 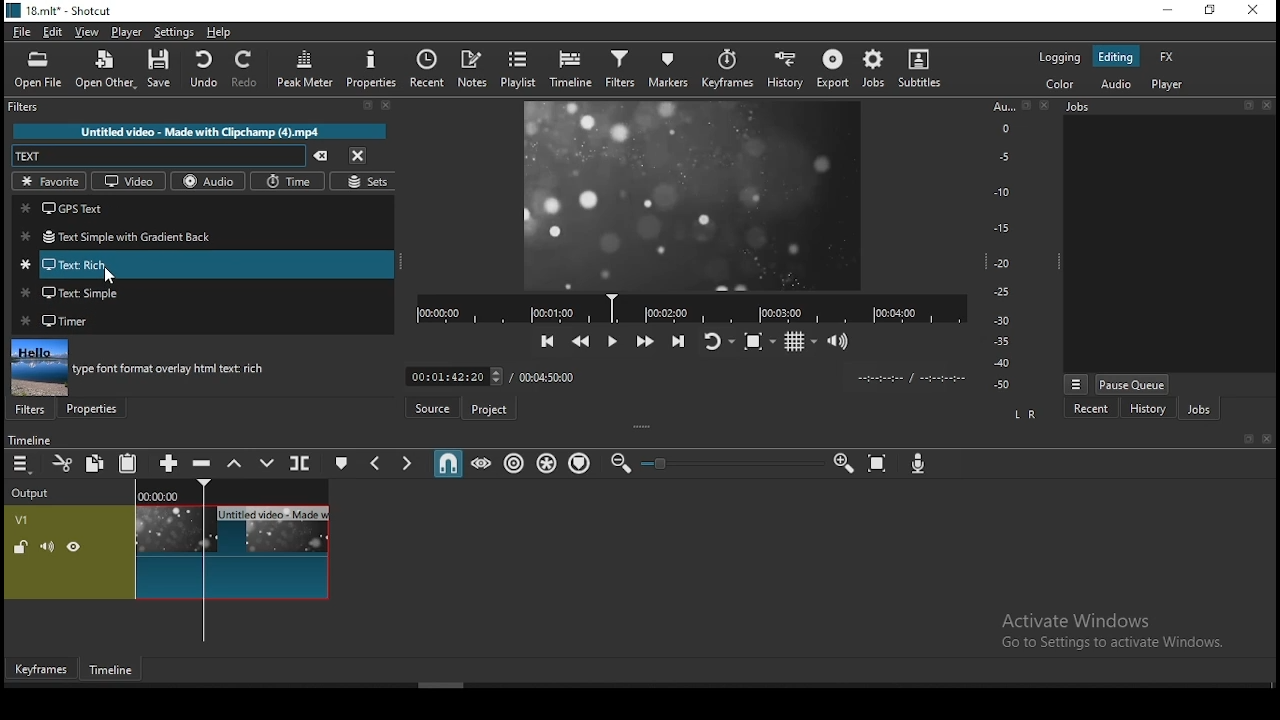 I want to click on redo, so click(x=246, y=69).